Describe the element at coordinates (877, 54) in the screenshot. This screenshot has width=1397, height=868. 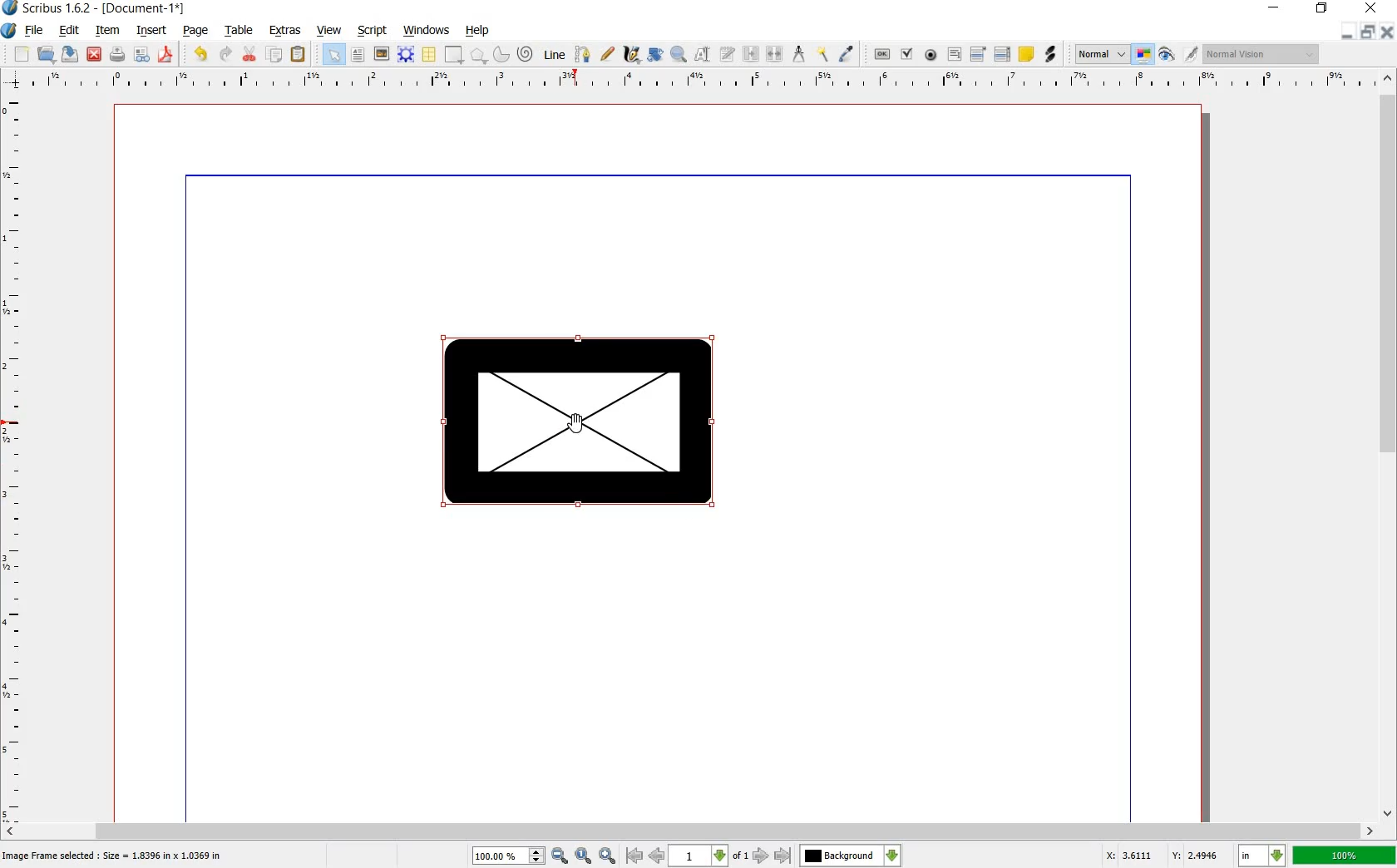
I see `pdf push button` at that location.